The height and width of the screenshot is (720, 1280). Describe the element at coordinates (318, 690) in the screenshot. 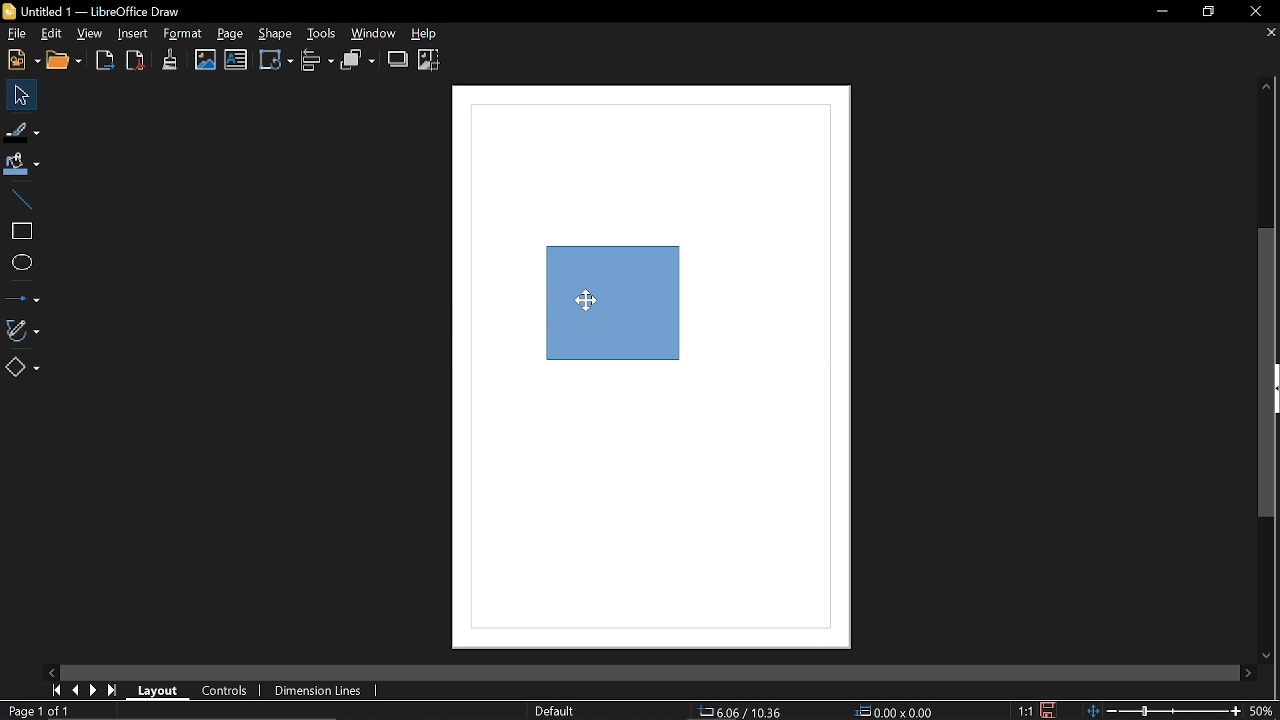

I see `dimension lines` at that location.